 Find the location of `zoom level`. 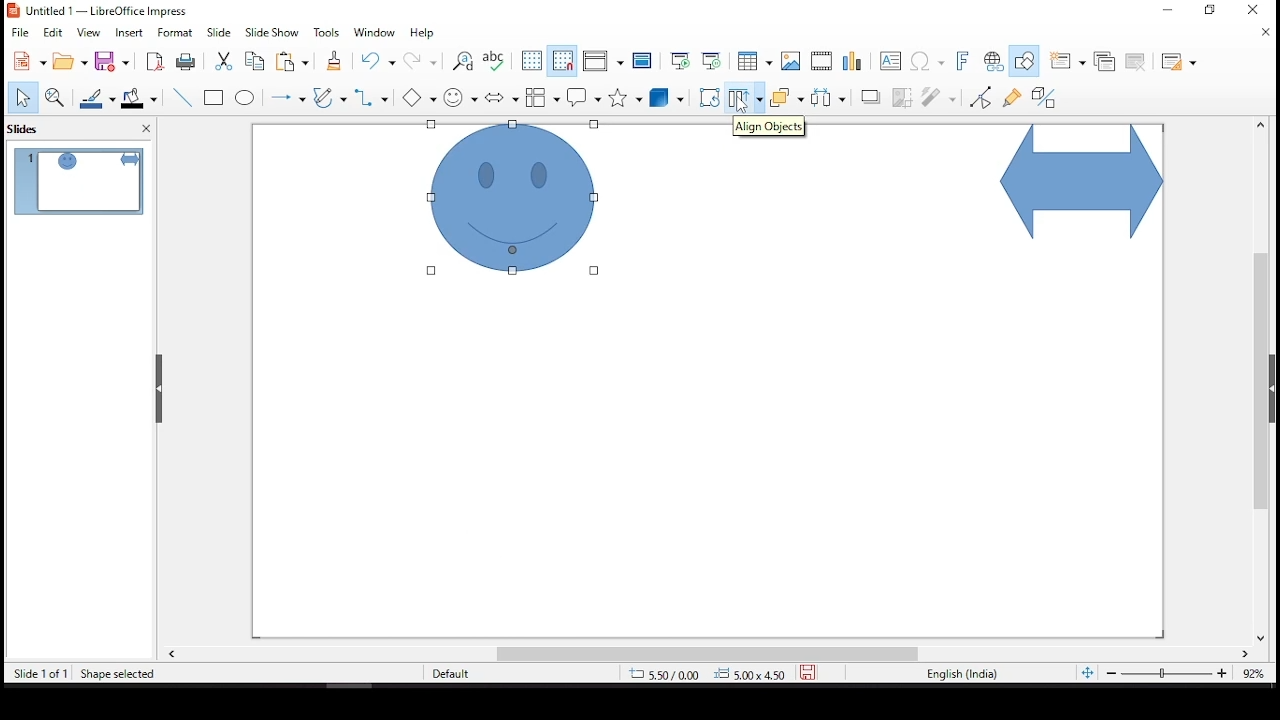

zoom level is located at coordinates (1255, 678).